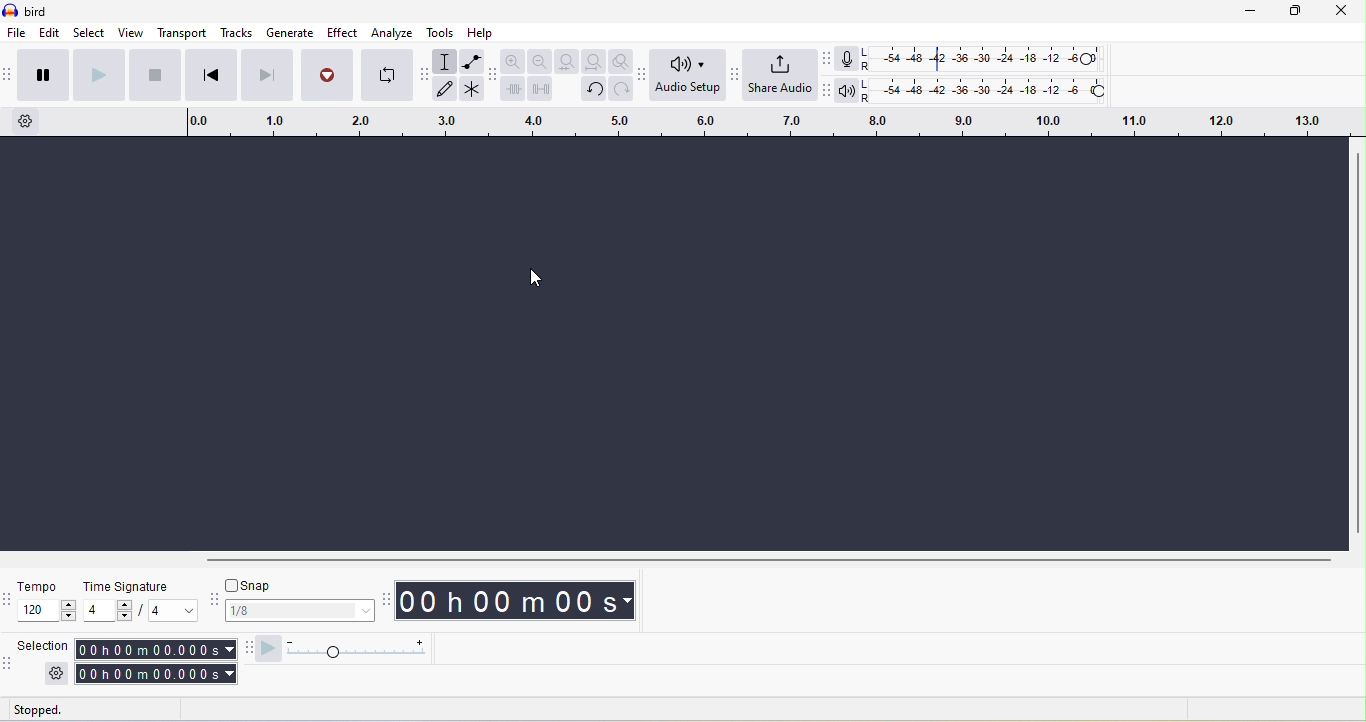 The image size is (1366, 722). Describe the element at coordinates (49, 611) in the screenshot. I see `tempo` at that location.